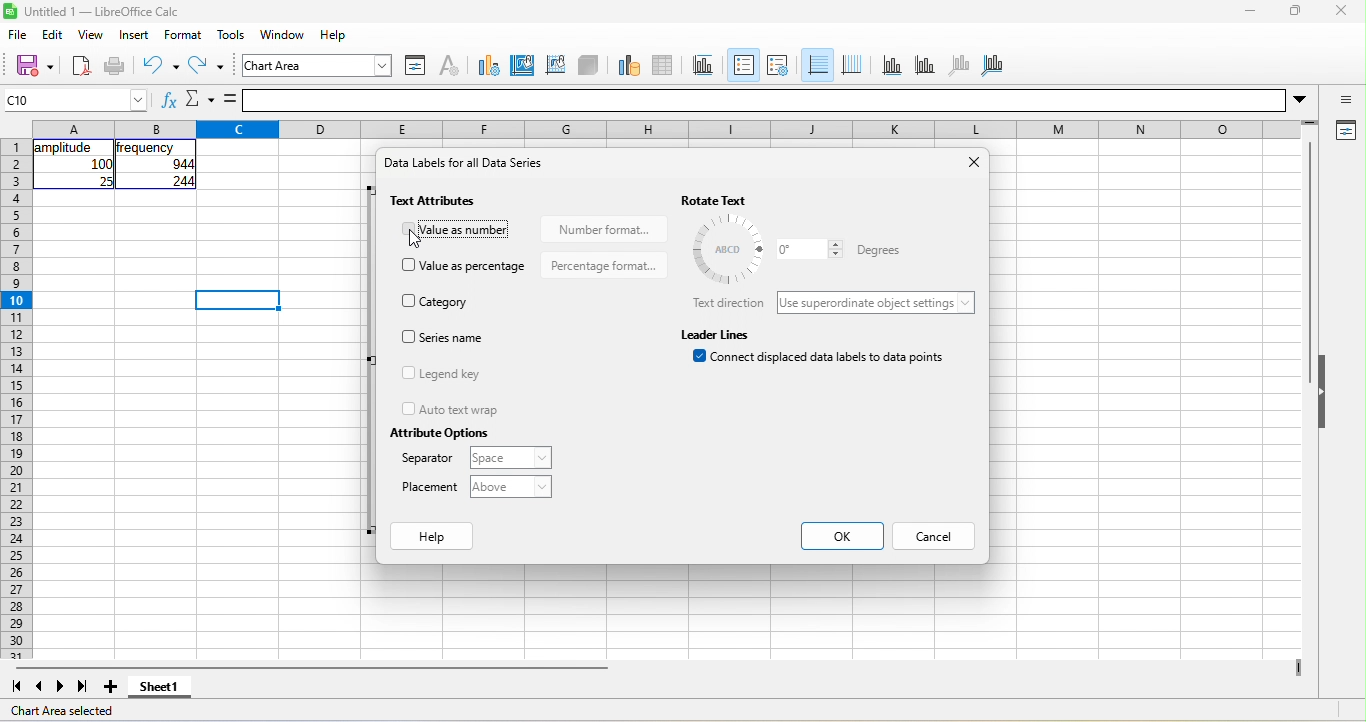  Describe the element at coordinates (729, 249) in the screenshot. I see `degrees` at that location.